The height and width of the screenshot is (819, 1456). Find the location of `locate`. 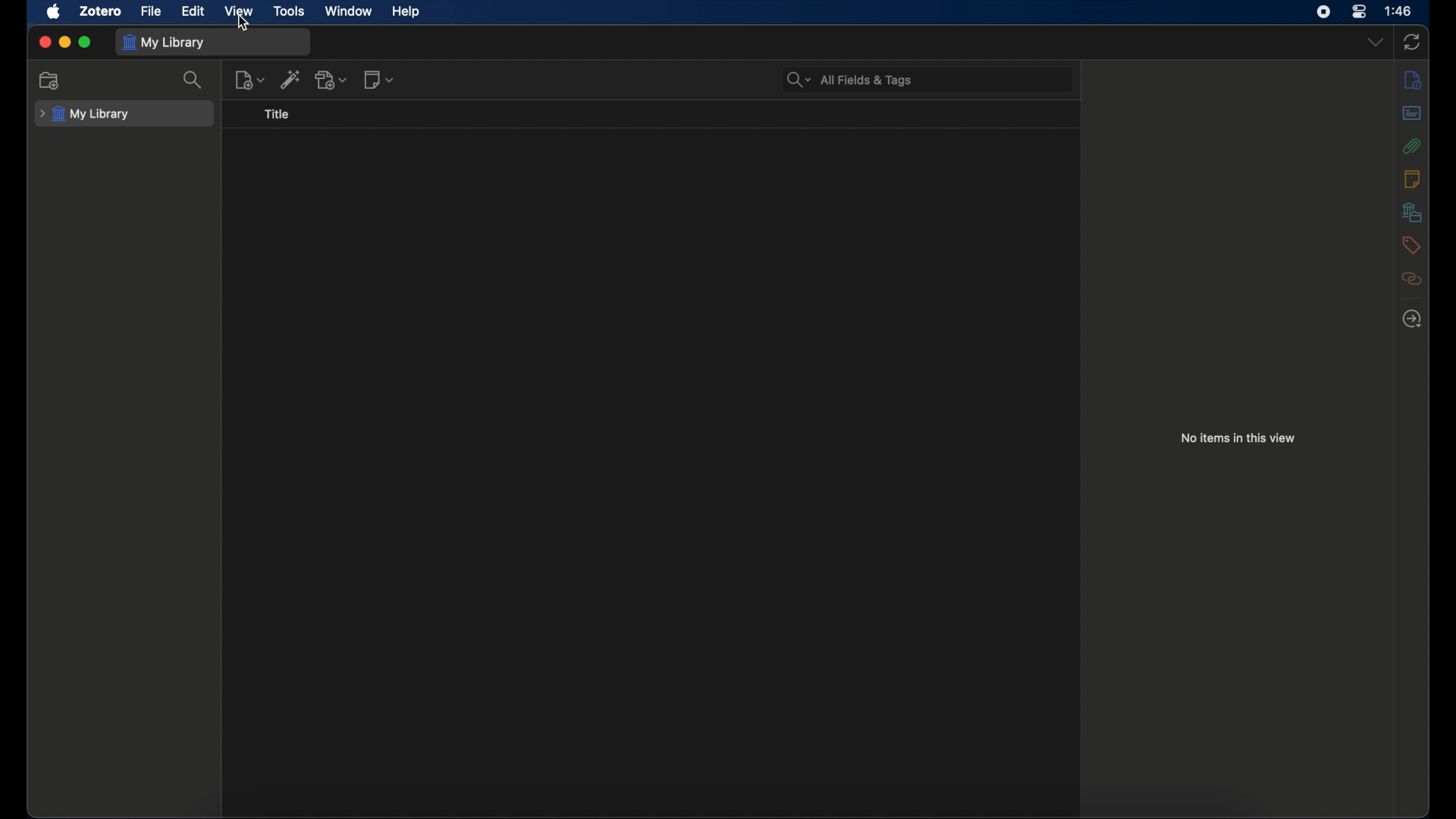

locate is located at coordinates (1411, 319).